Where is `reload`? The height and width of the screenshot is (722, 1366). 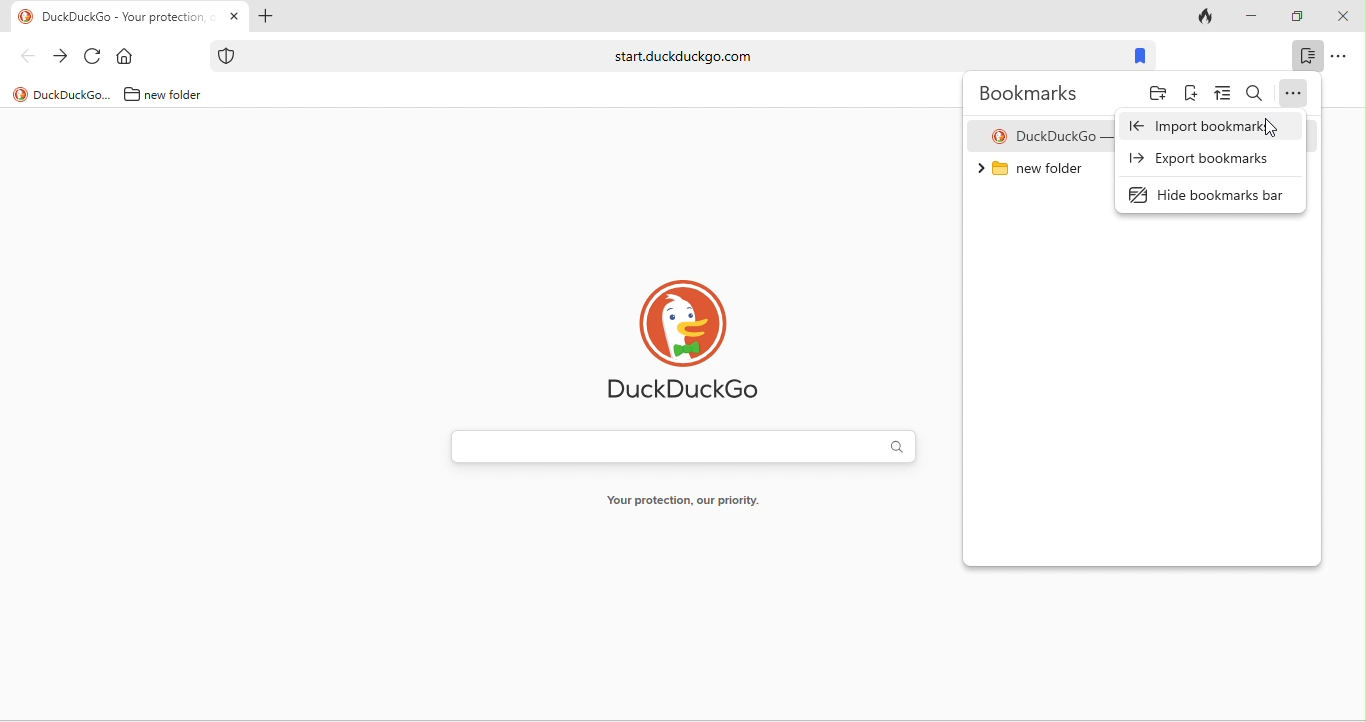
reload is located at coordinates (93, 57).